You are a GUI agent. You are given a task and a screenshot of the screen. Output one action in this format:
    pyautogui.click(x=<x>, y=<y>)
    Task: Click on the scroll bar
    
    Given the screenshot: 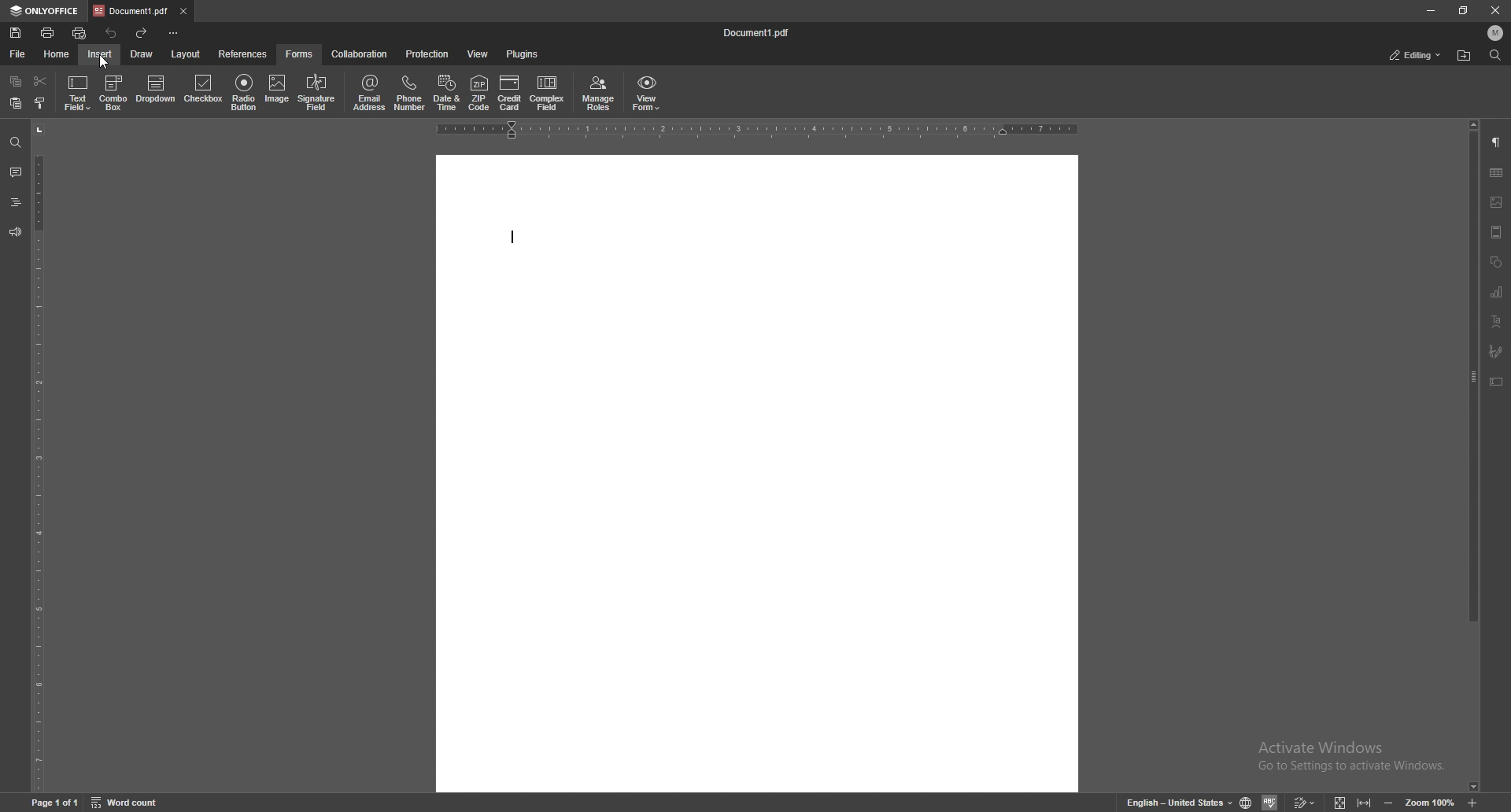 What is the action you would take?
    pyautogui.click(x=1472, y=456)
    